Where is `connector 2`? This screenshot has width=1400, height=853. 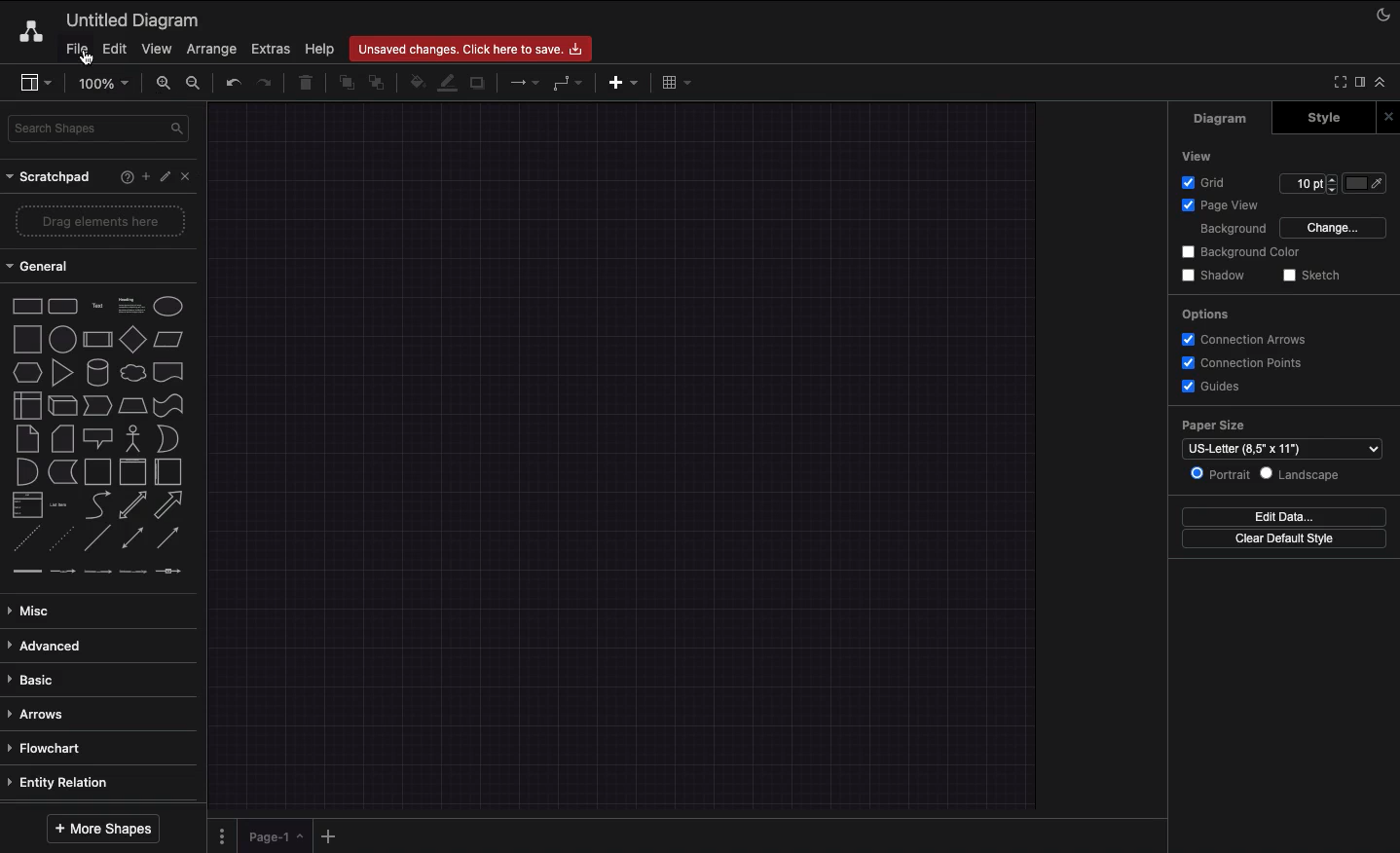 connector 2 is located at coordinates (62, 572).